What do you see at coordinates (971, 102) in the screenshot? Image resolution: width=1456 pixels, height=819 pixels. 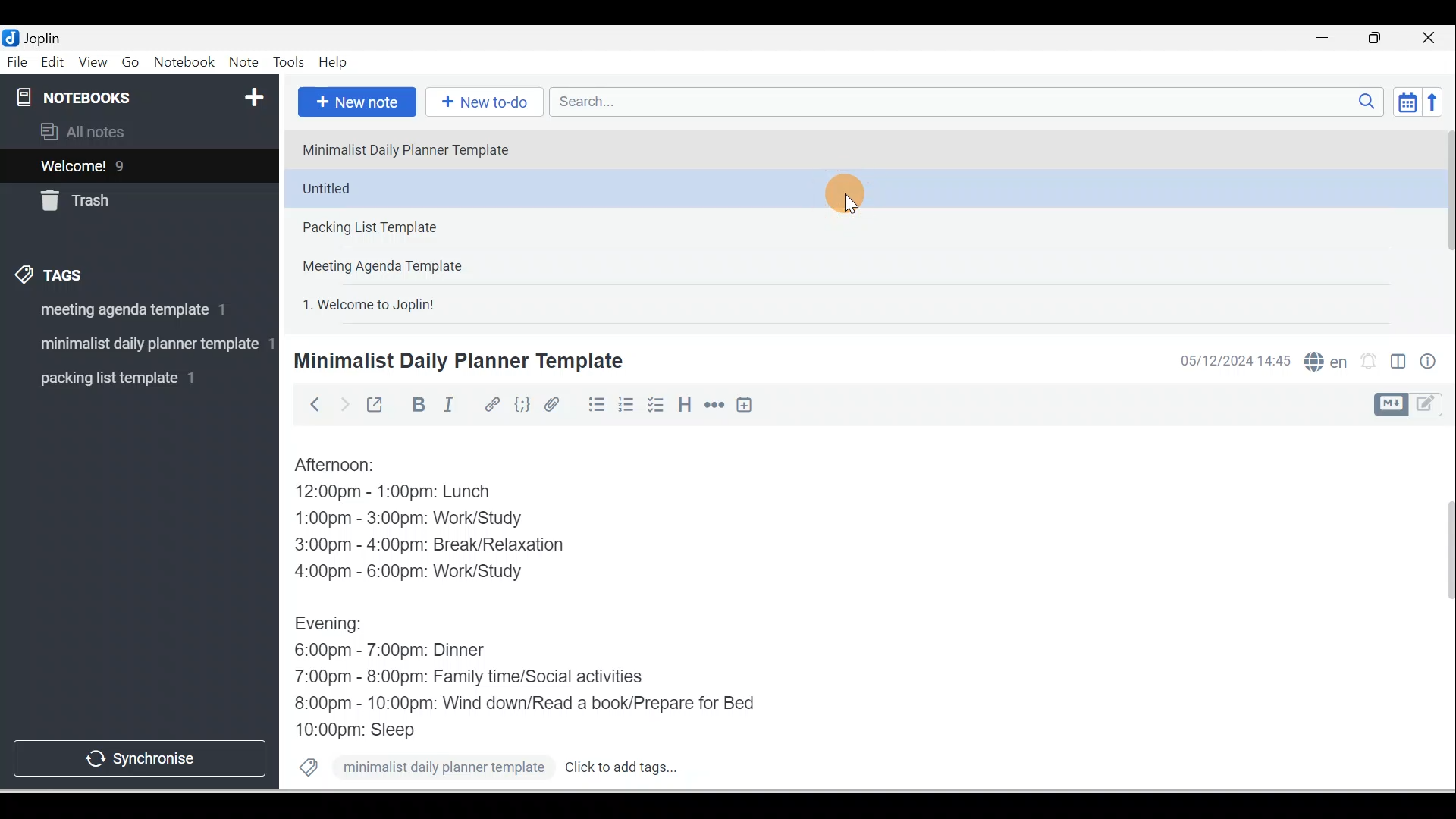 I see `Search bar` at bounding box center [971, 102].